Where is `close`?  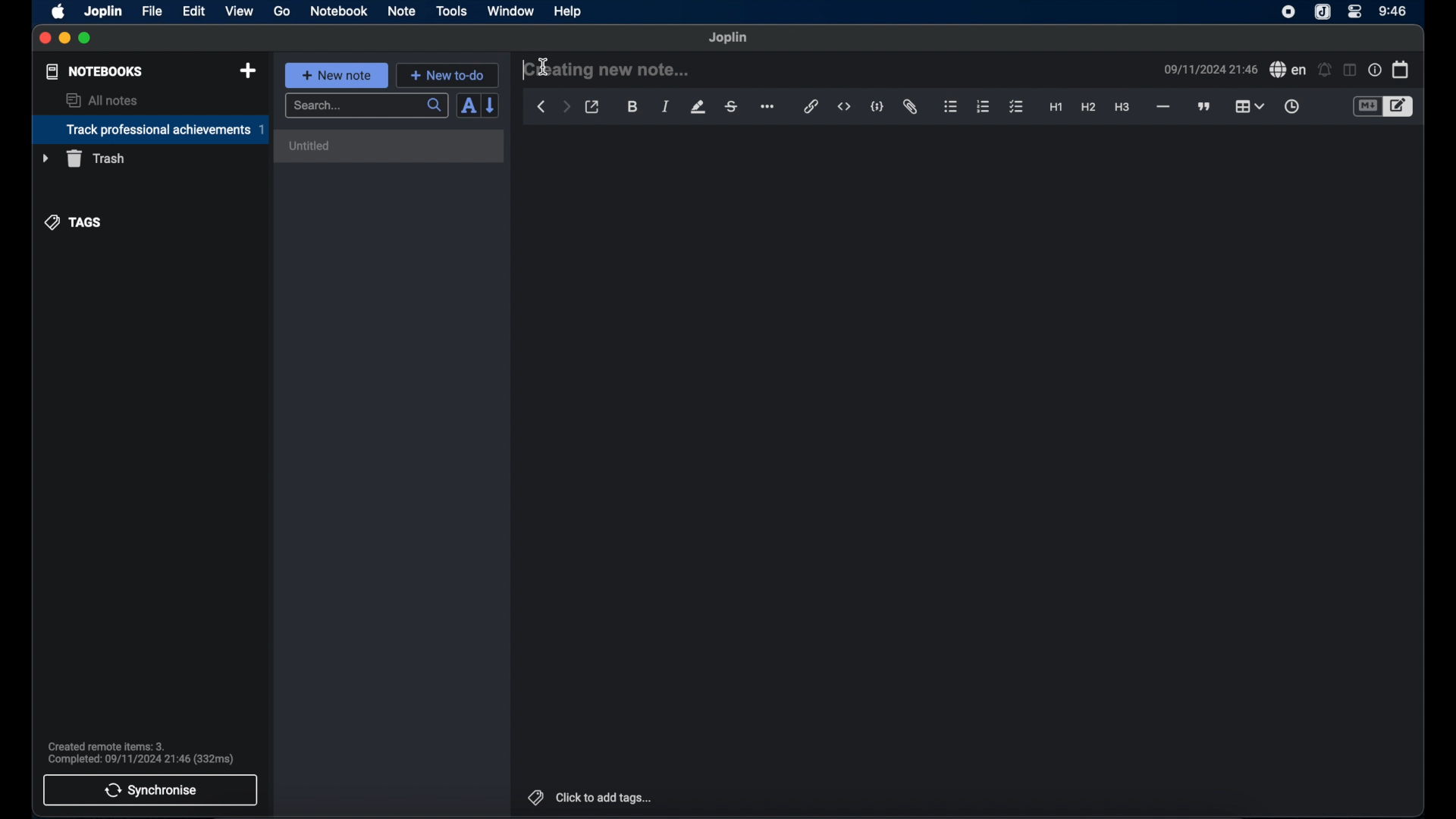
close is located at coordinates (45, 38).